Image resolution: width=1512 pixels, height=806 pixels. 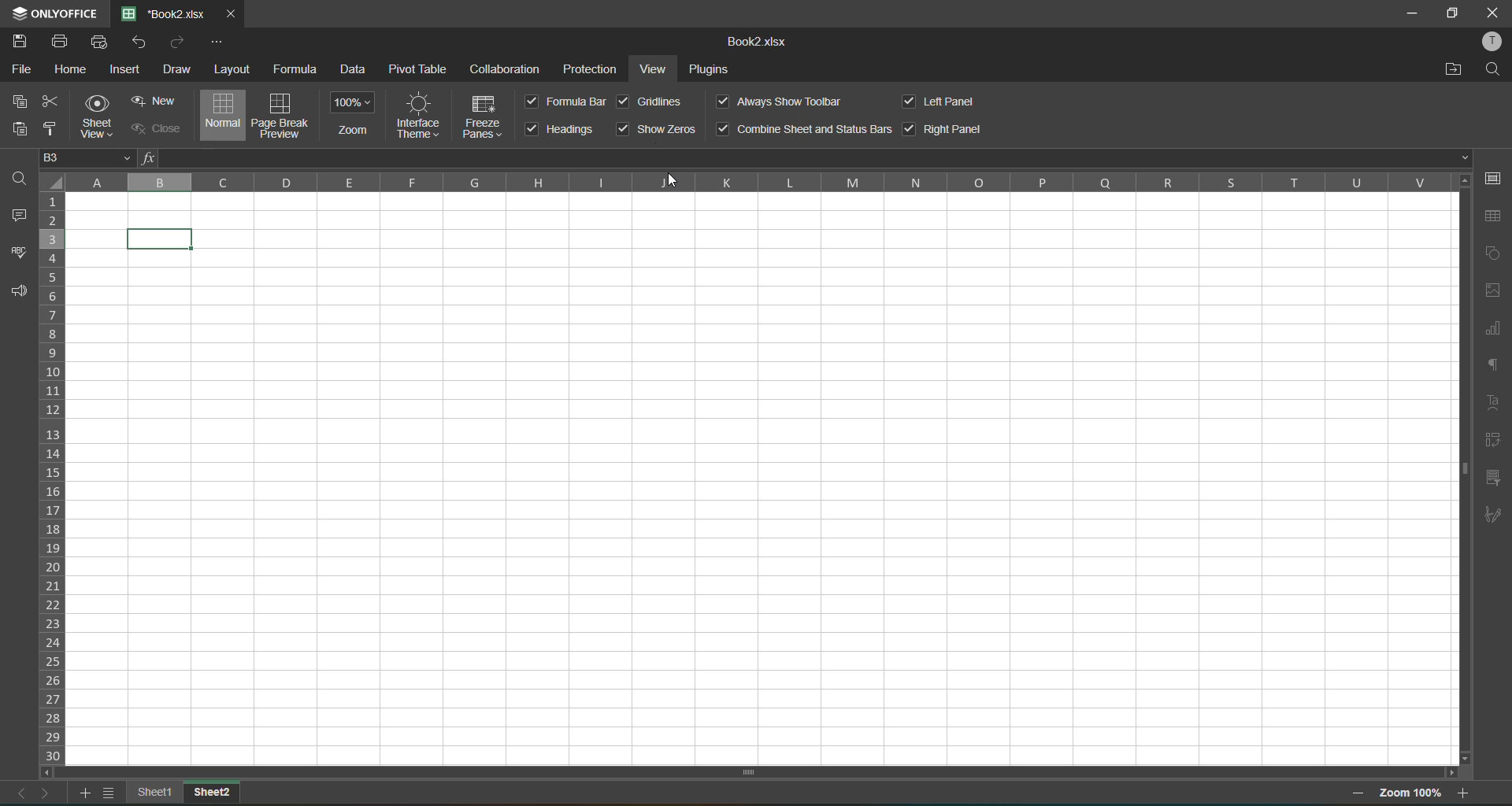 What do you see at coordinates (175, 69) in the screenshot?
I see `draw` at bounding box center [175, 69].